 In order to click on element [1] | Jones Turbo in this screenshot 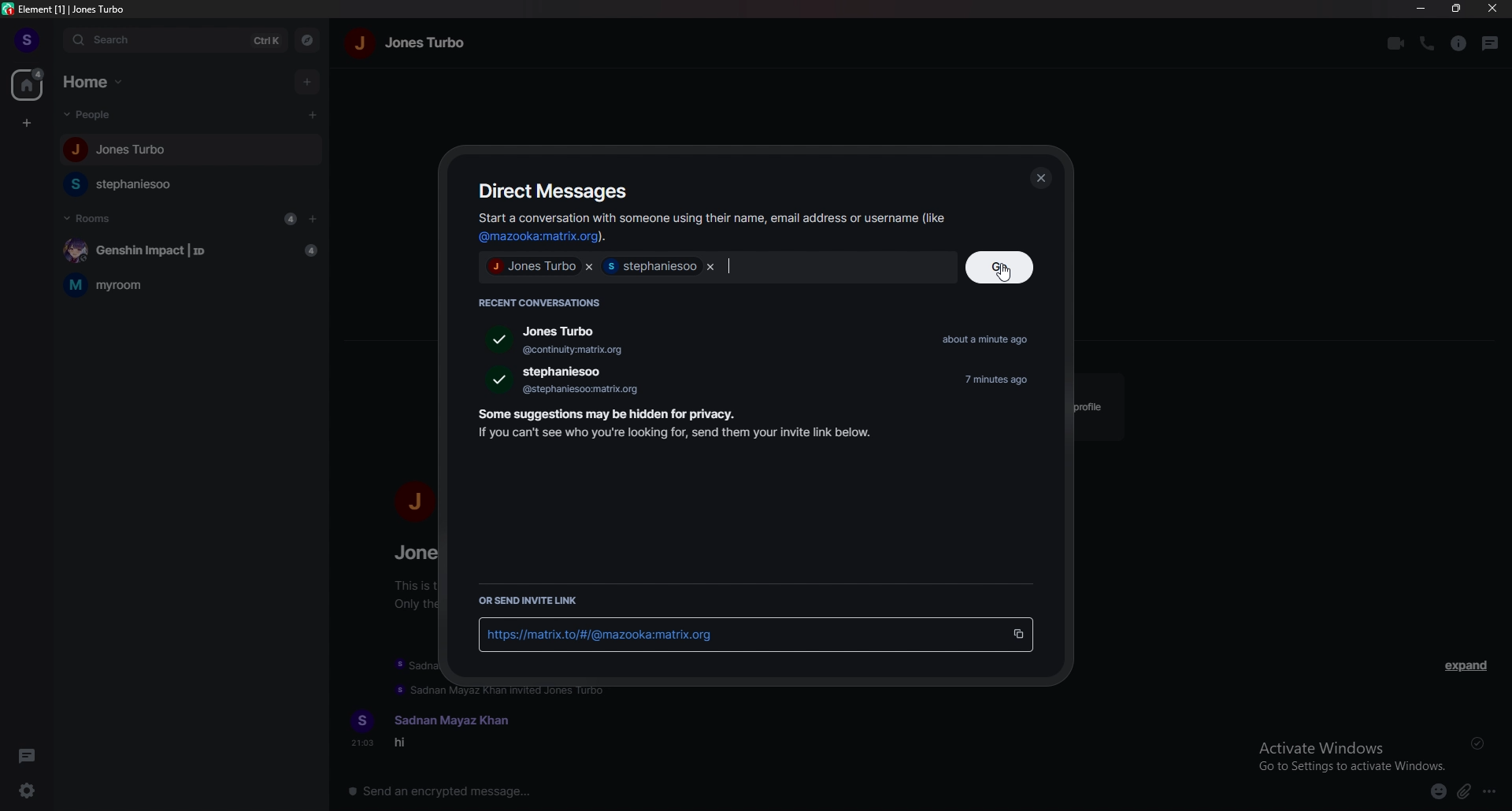, I will do `click(65, 9)`.